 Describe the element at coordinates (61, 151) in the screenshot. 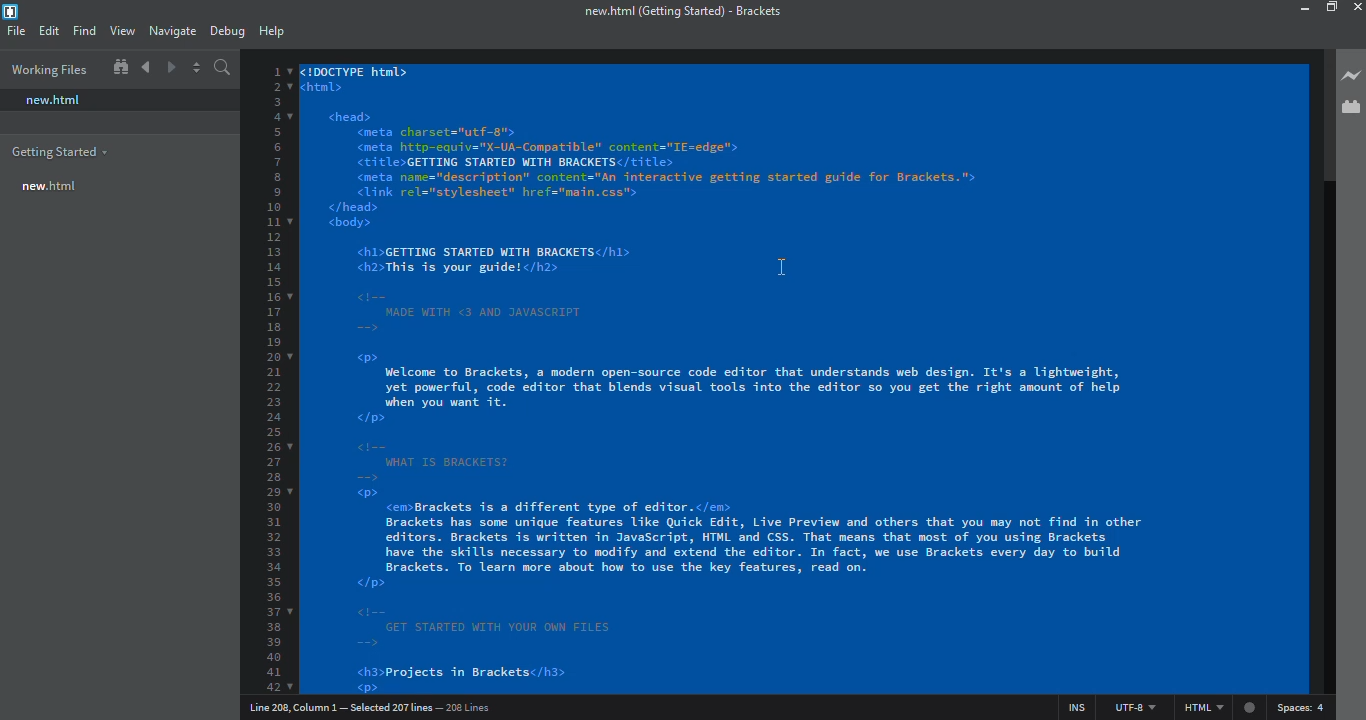

I see `getting started` at that location.